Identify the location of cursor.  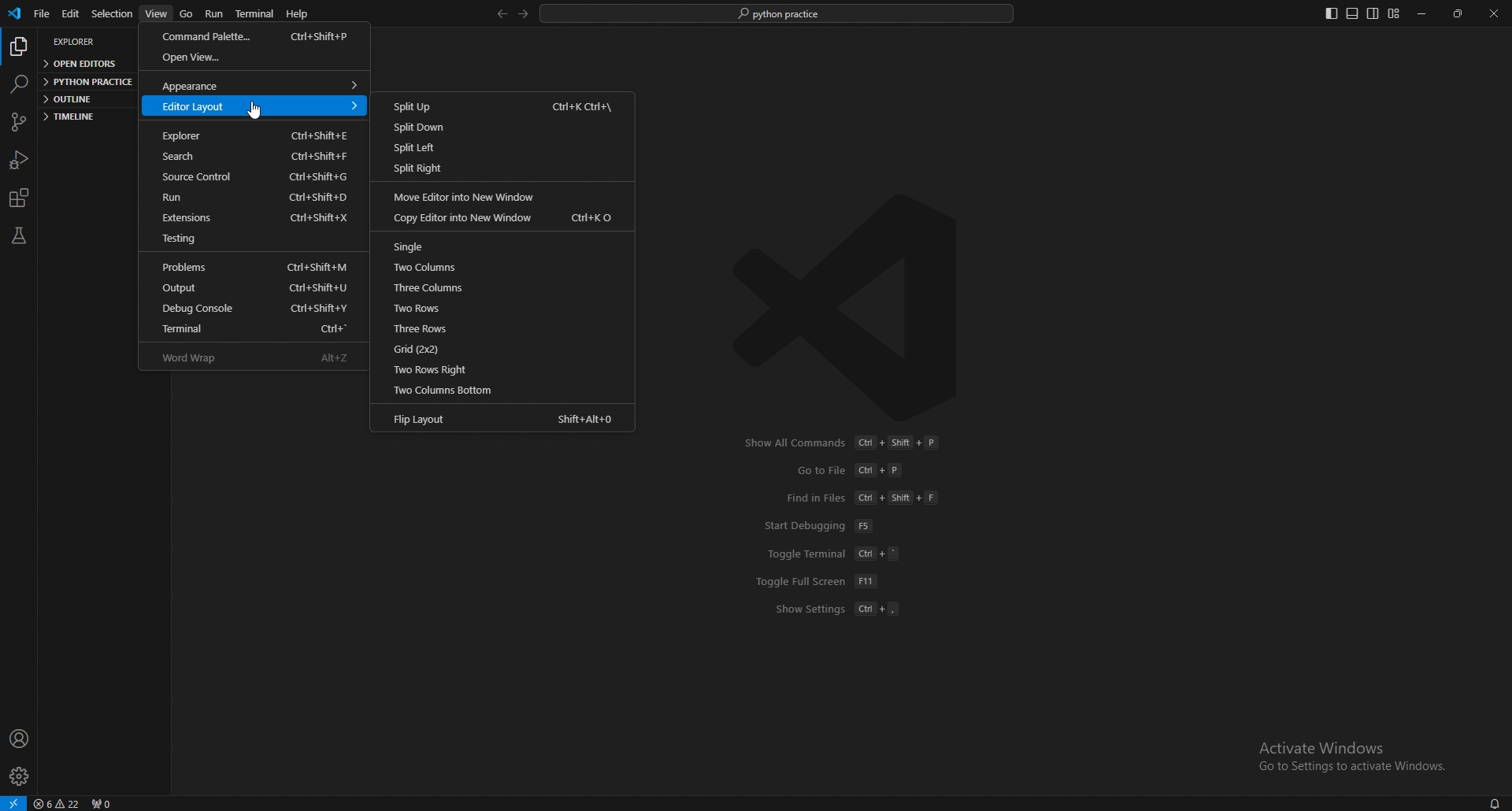
(256, 109).